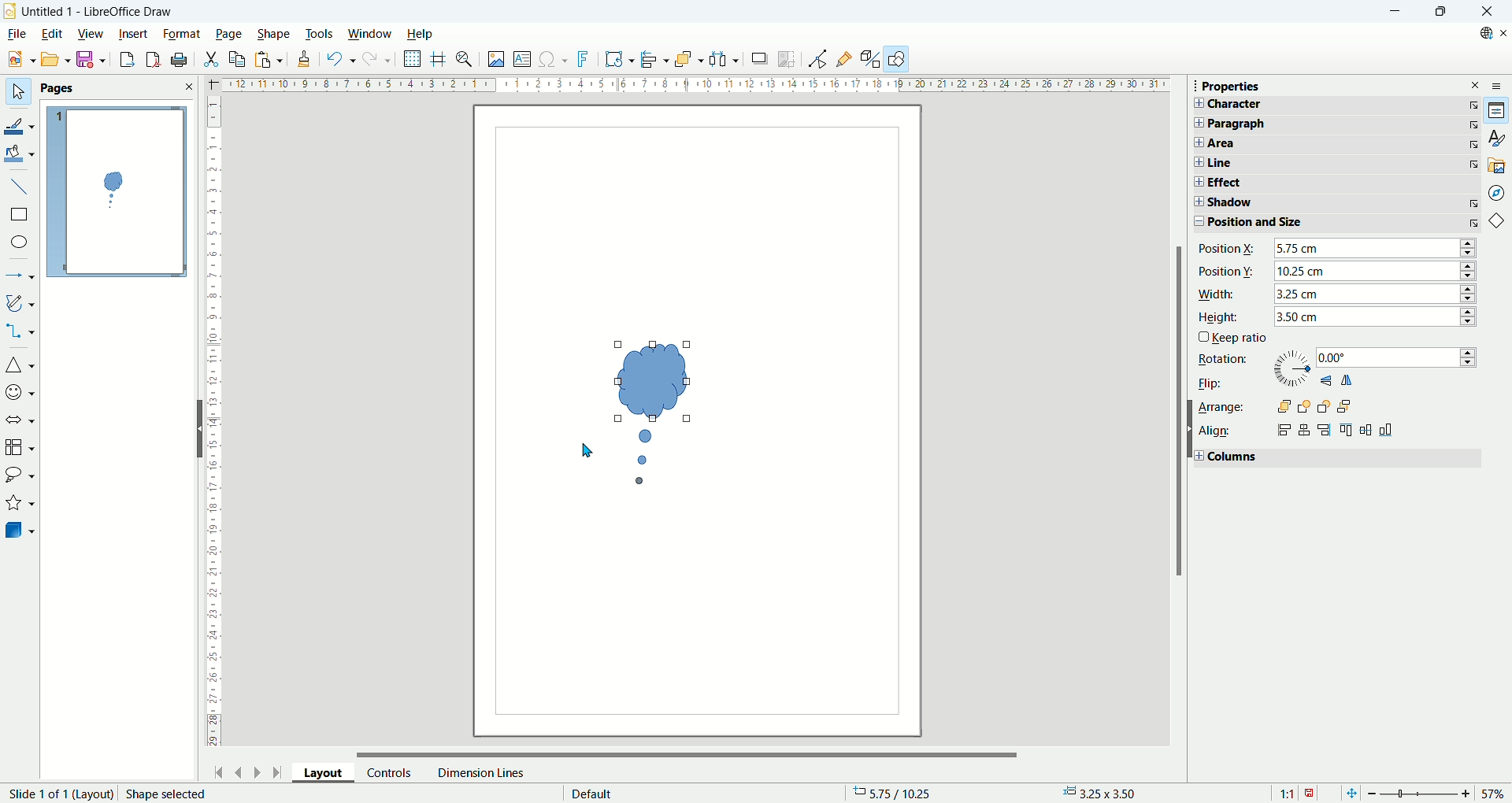 The width and height of the screenshot is (1512, 803). Describe the element at coordinates (1501, 85) in the screenshot. I see `Sidebar settings` at that location.